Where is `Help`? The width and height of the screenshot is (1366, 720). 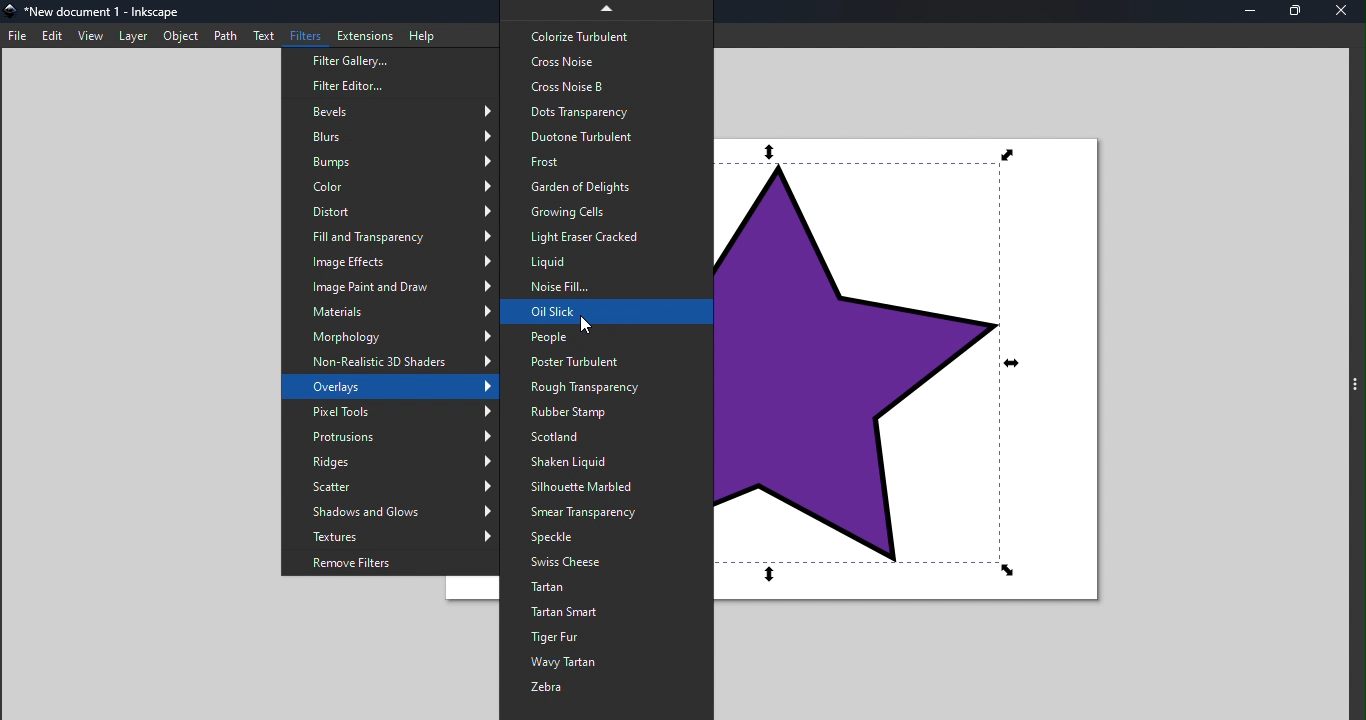
Help is located at coordinates (427, 33).